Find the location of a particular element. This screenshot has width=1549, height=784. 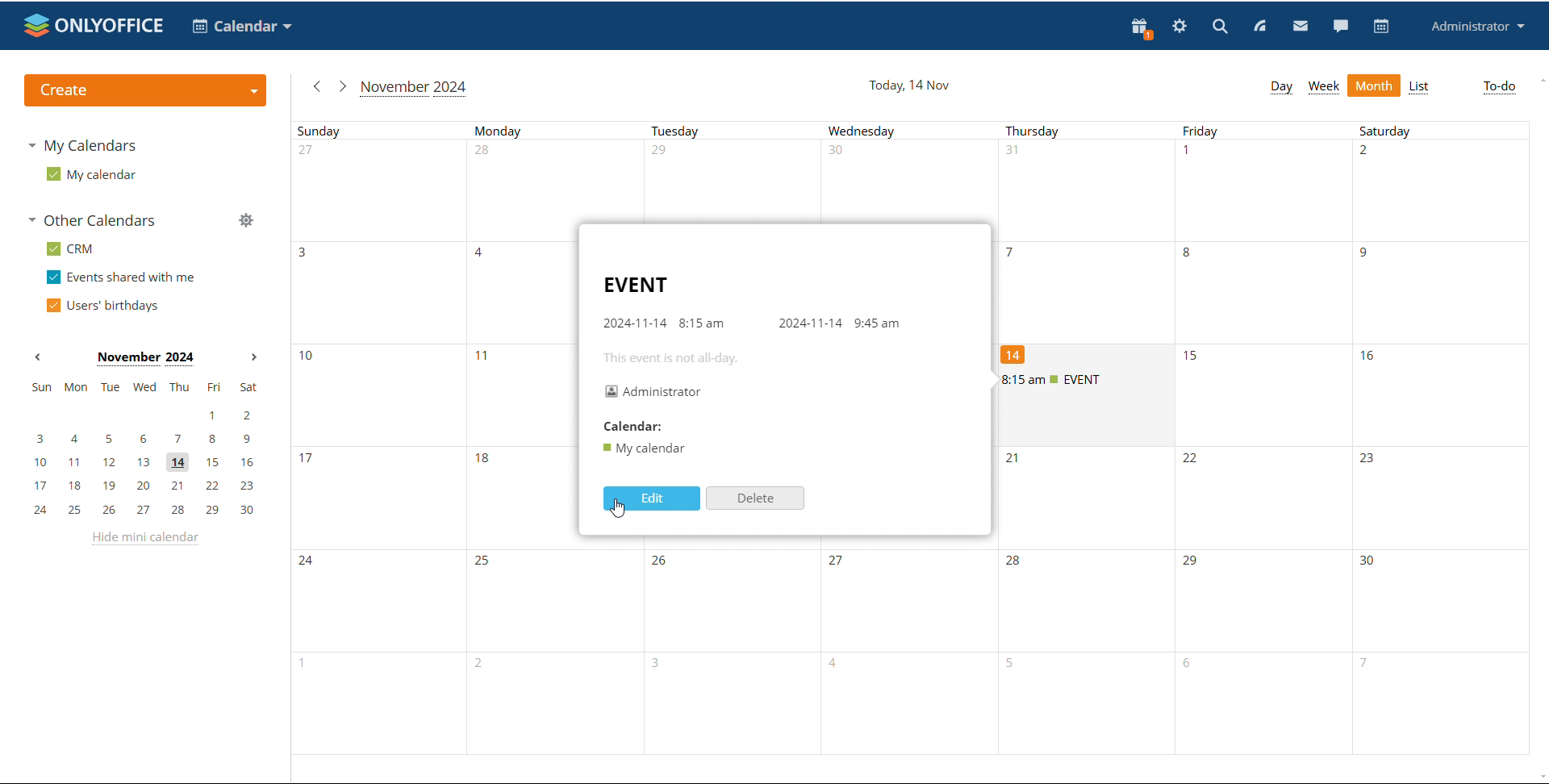

end time is located at coordinates (876, 323).